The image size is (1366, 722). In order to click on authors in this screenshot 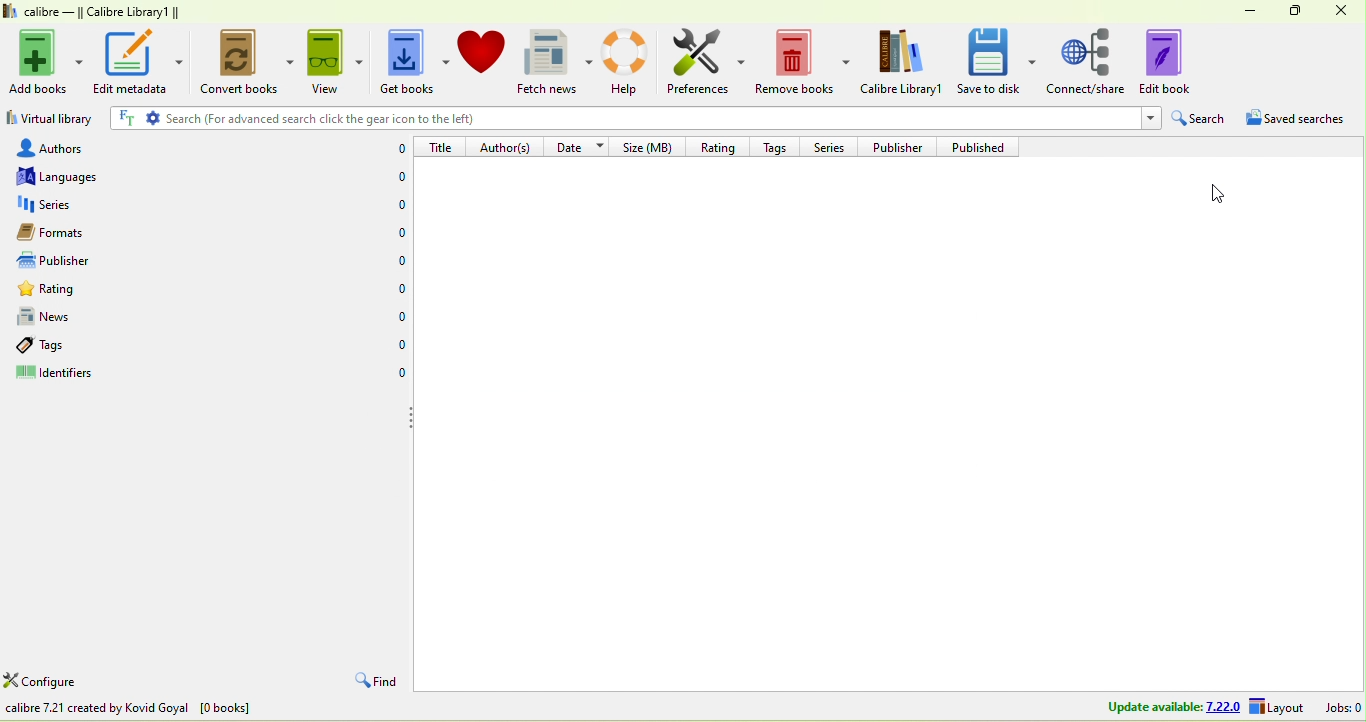, I will do `click(69, 147)`.